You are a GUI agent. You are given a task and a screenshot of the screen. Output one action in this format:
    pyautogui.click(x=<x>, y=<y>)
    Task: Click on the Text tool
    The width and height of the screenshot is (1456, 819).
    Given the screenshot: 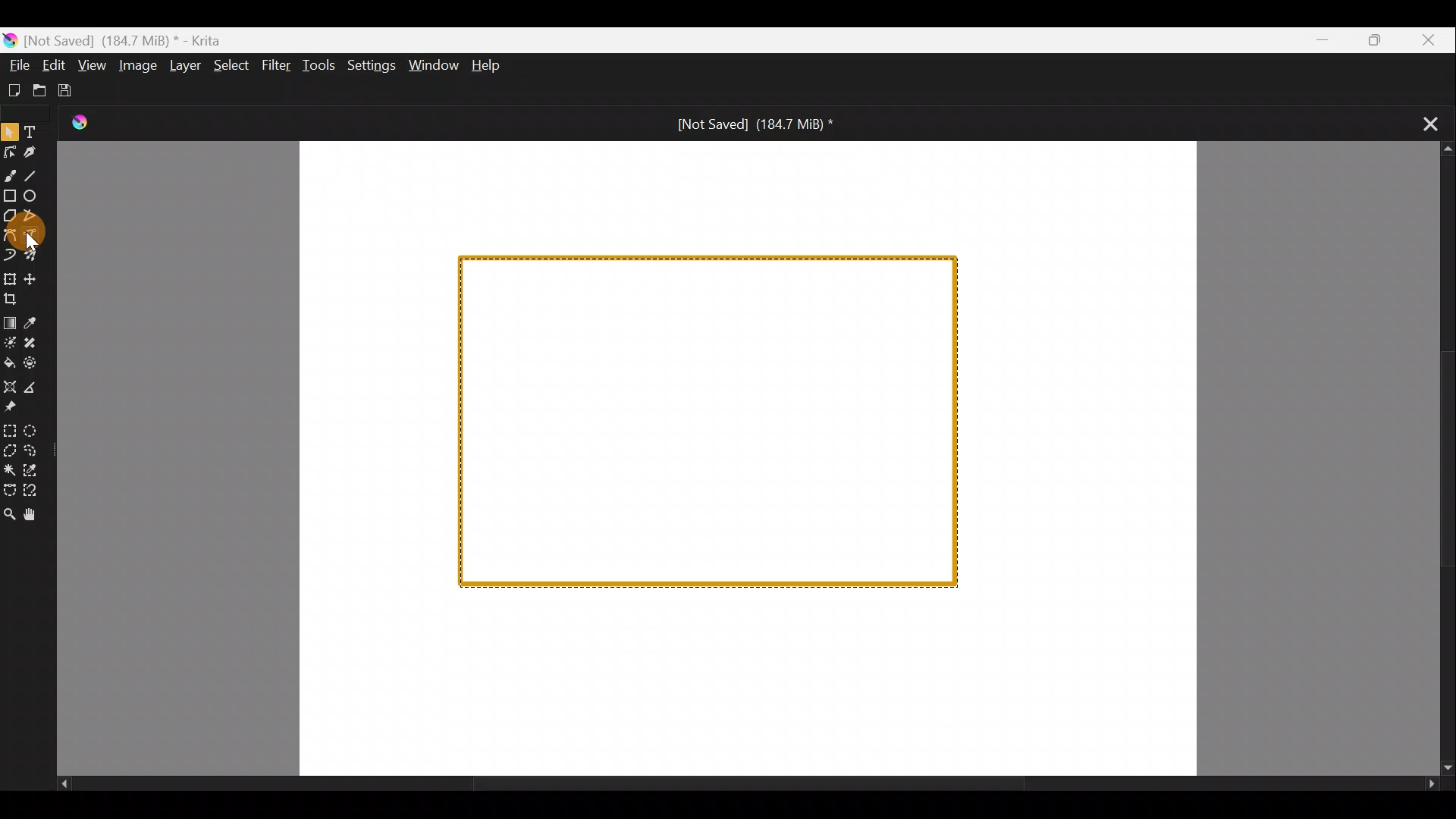 What is the action you would take?
    pyautogui.click(x=36, y=130)
    